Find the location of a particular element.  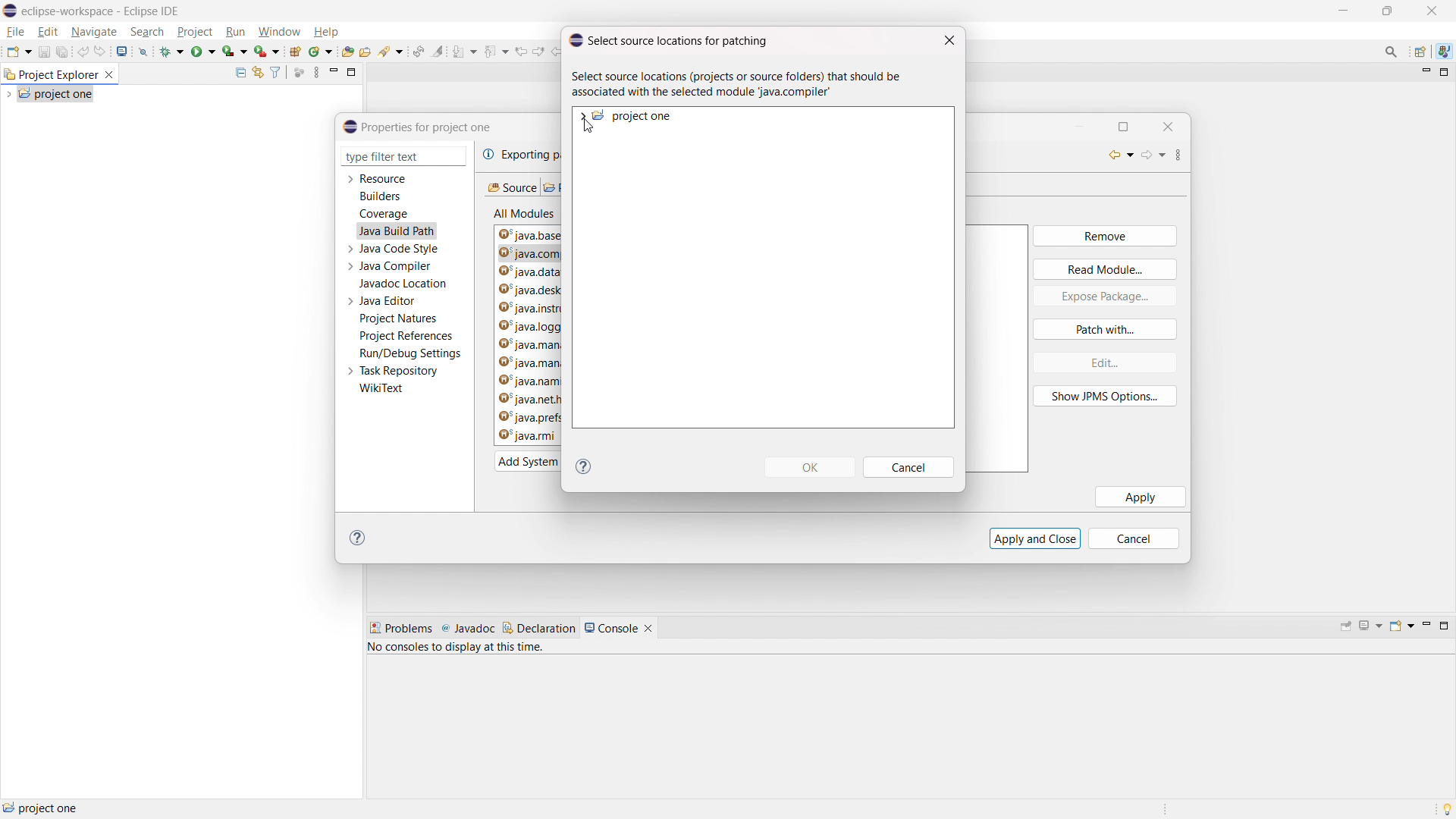

project references is located at coordinates (406, 335).